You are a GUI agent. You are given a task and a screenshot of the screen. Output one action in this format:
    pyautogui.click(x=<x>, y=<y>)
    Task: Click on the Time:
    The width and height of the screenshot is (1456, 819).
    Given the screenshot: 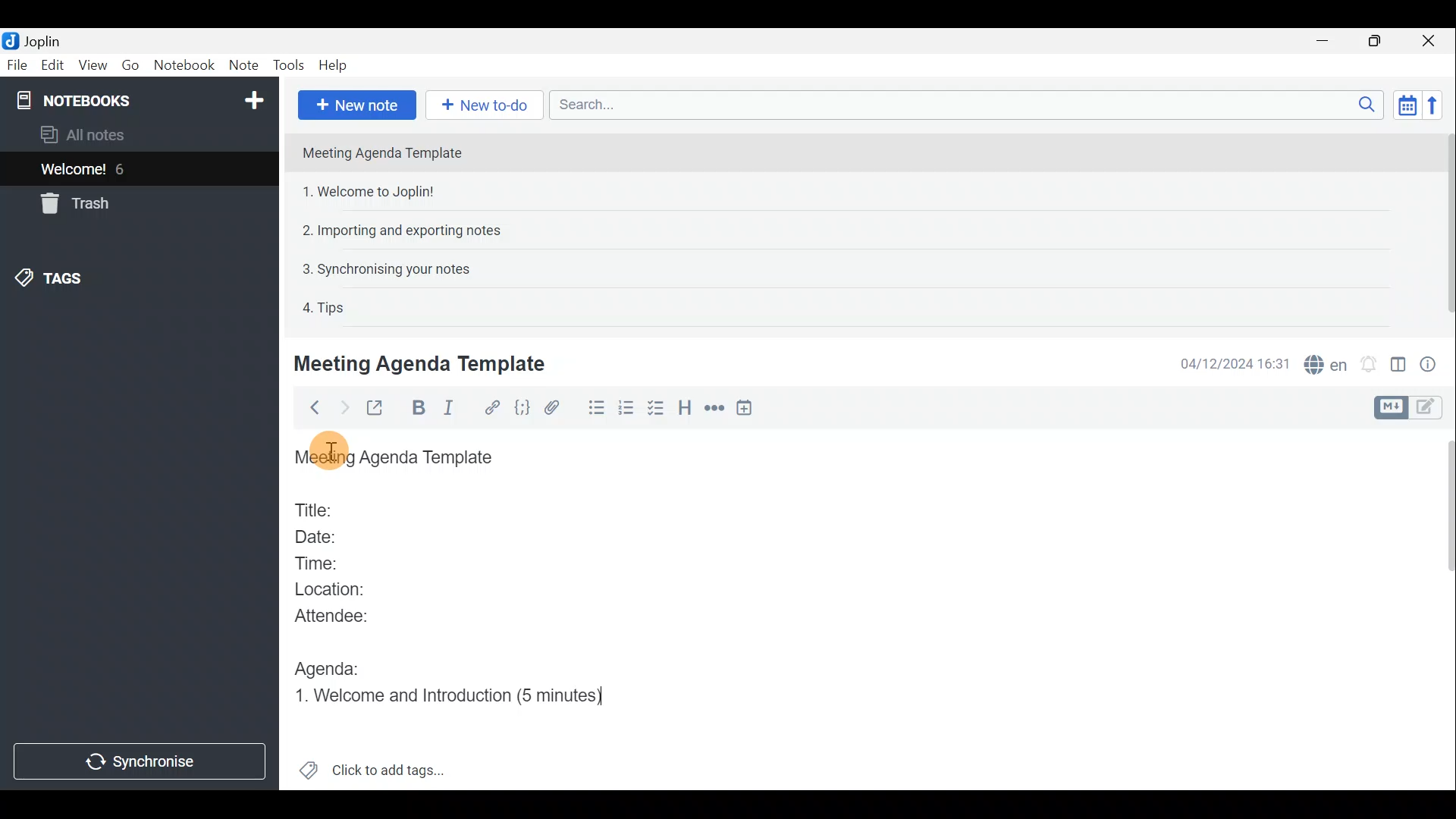 What is the action you would take?
    pyautogui.click(x=317, y=560)
    